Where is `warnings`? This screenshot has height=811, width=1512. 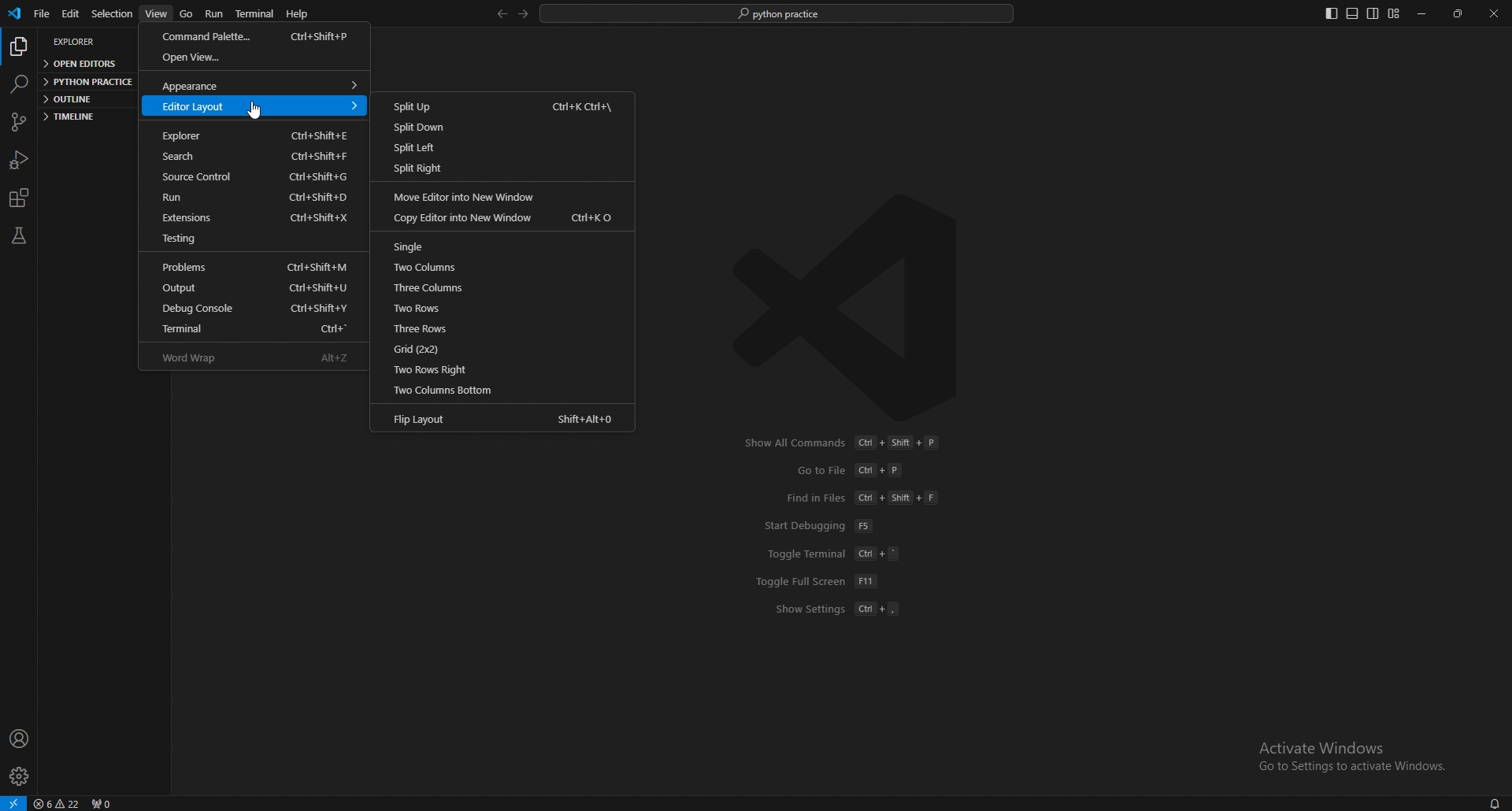 warnings is located at coordinates (58, 803).